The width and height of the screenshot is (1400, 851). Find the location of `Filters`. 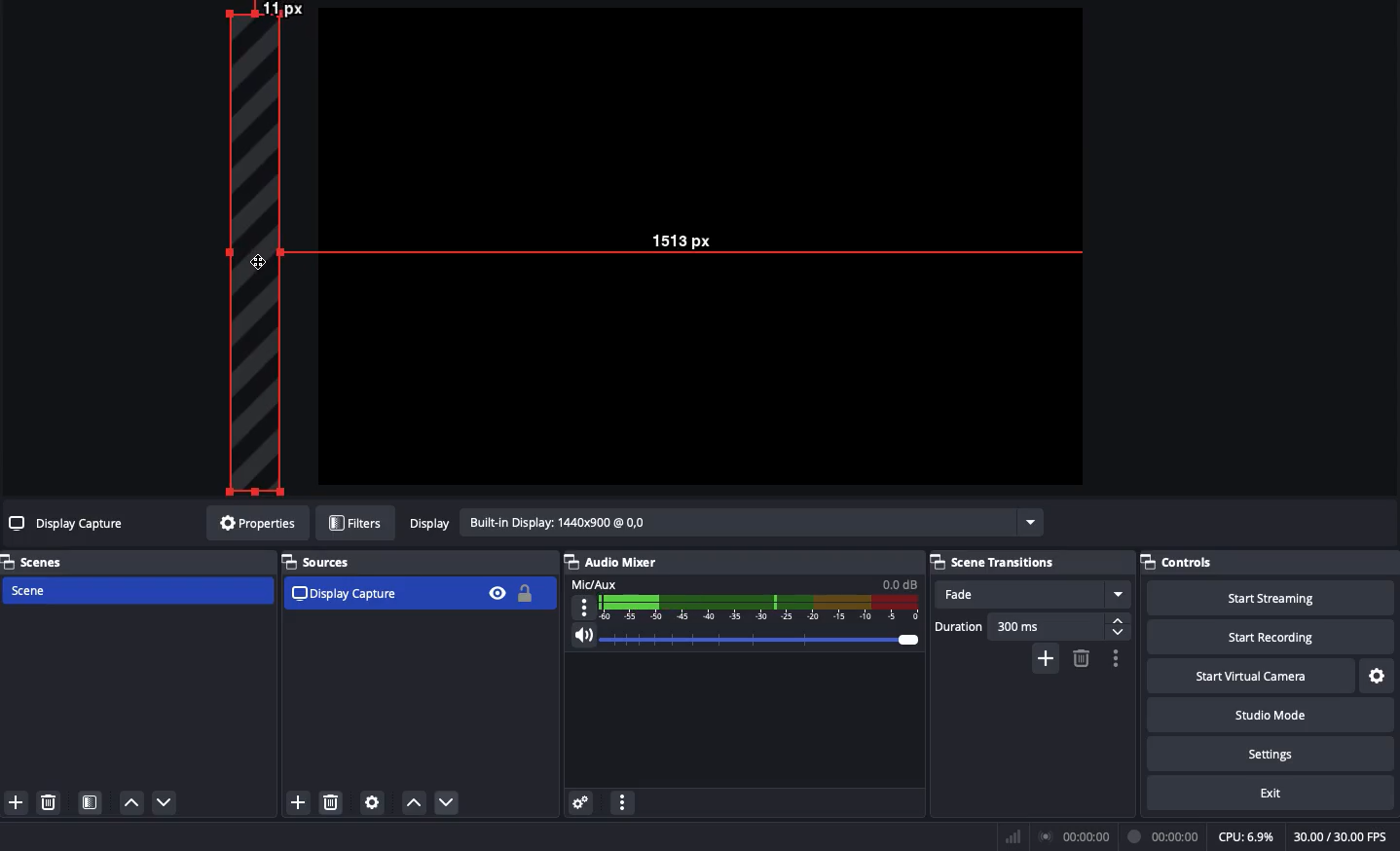

Filters is located at coordinates (356, 524).